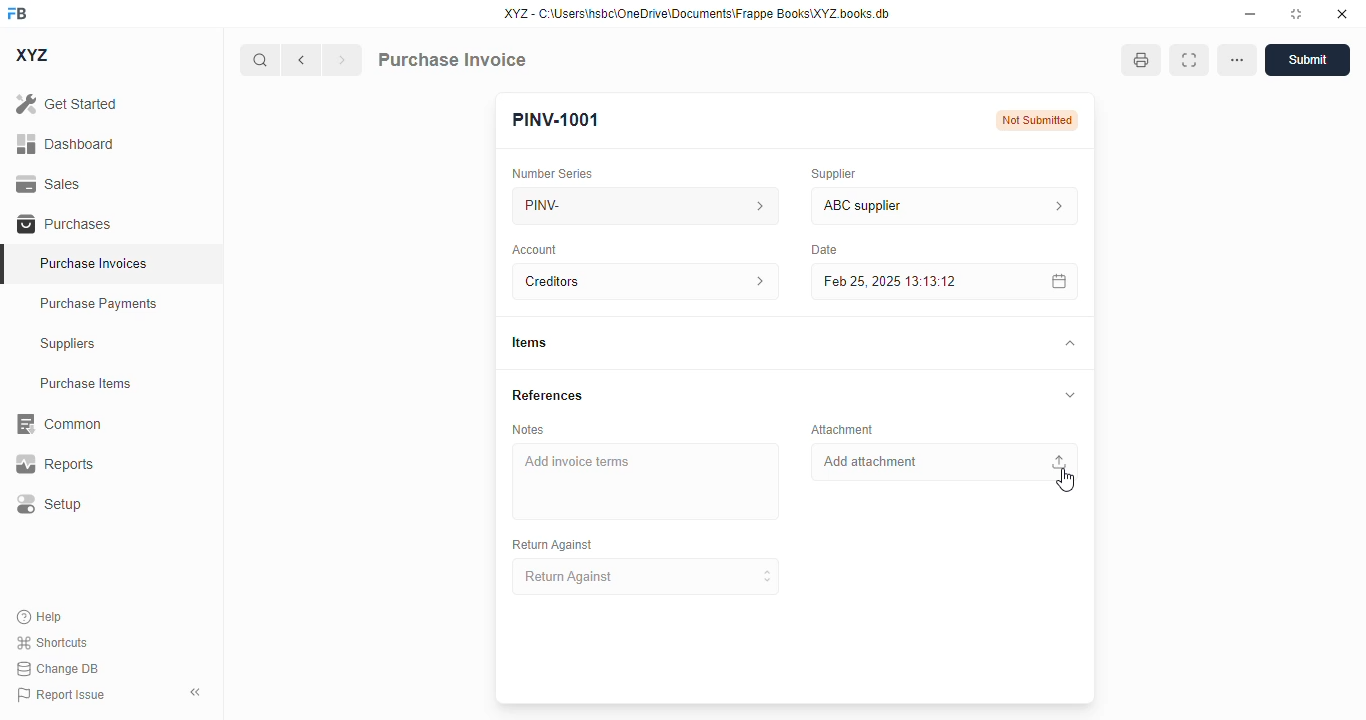  What do you see at coordinates (536, 249) in the screenshot?
I see `account` at bounding box center [536, 249].